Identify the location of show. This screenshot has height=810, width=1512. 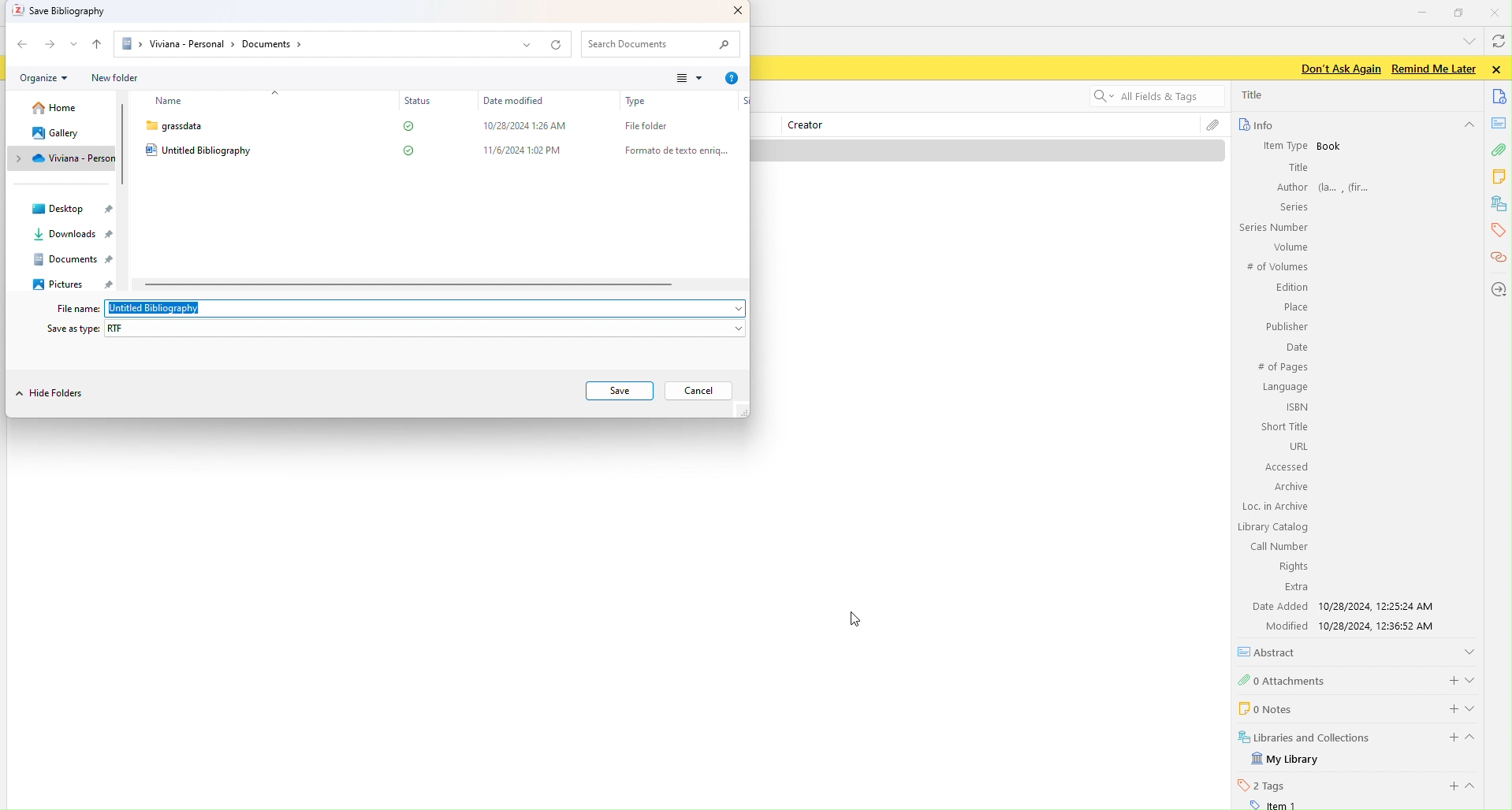
(1476, 786).